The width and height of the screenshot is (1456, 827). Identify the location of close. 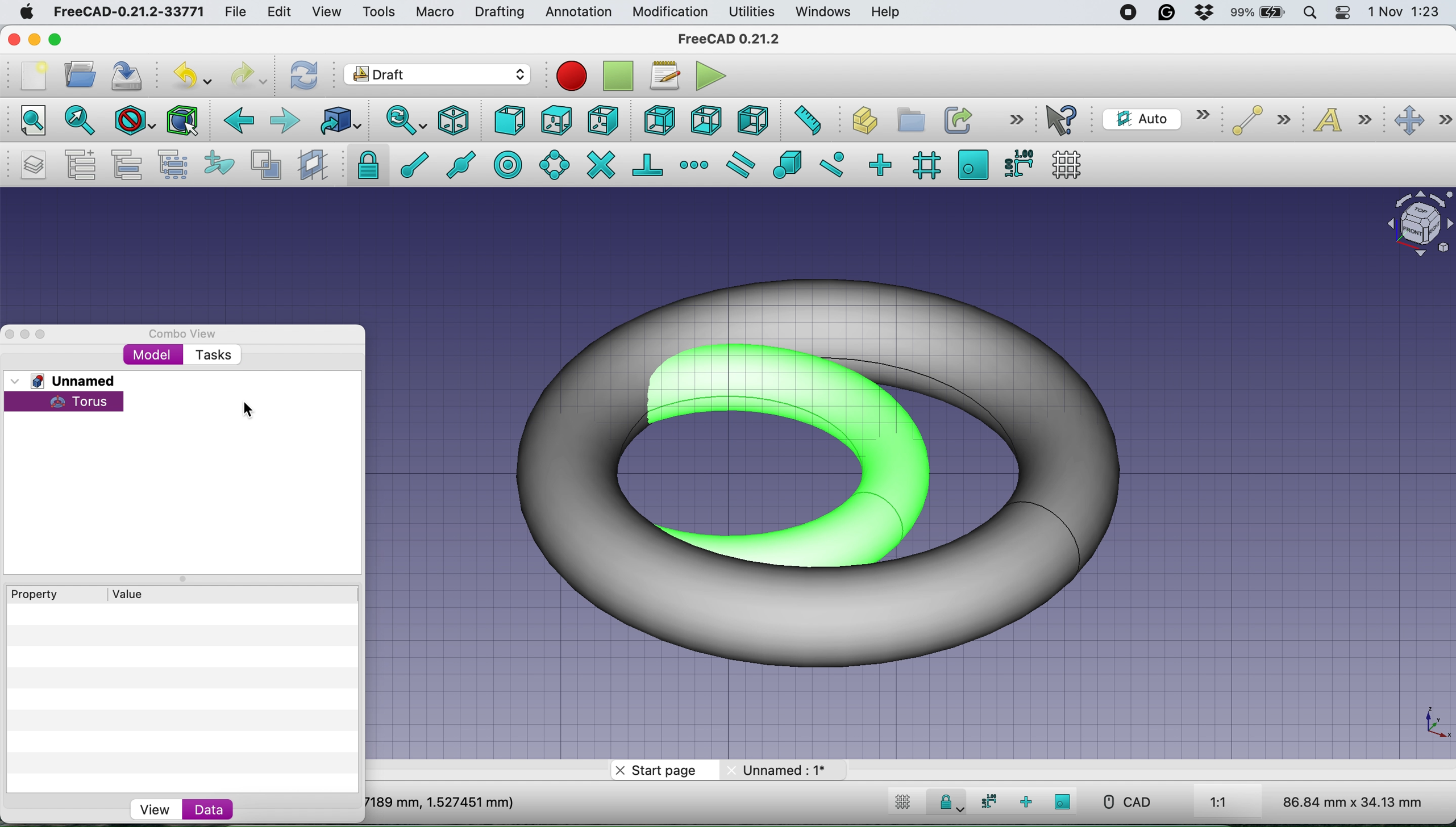
(12, 39).